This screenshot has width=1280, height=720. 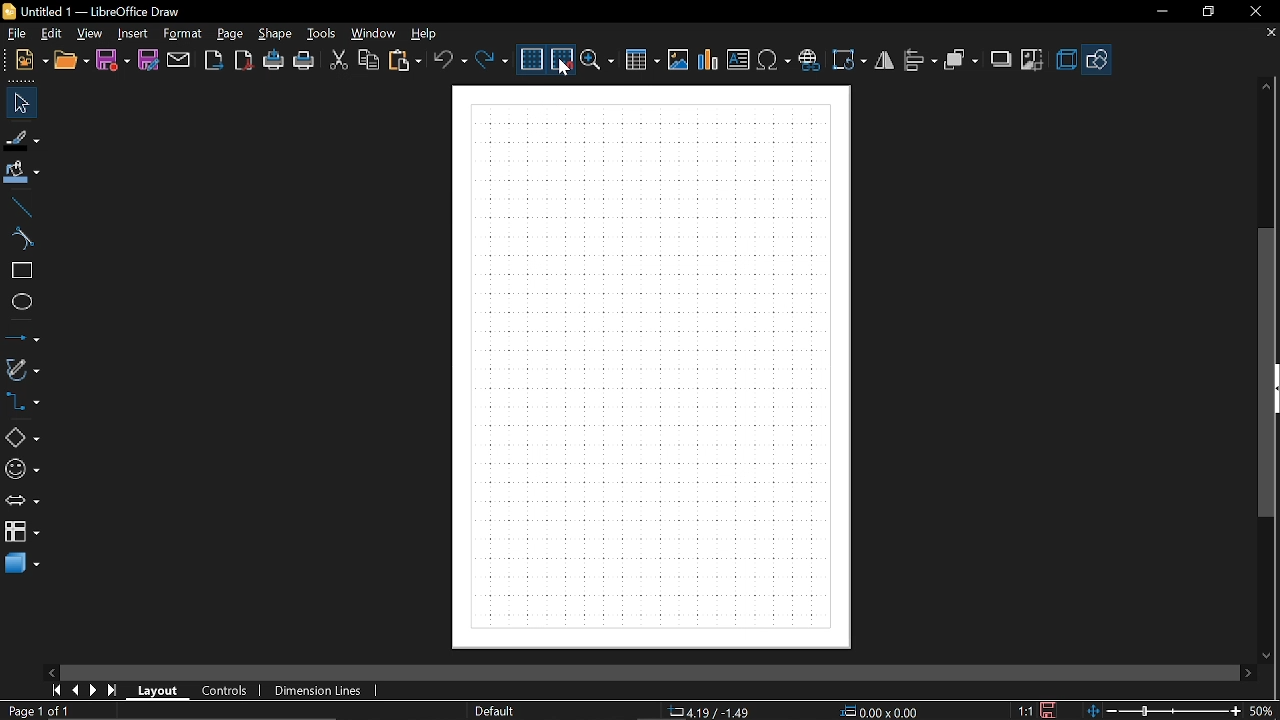 What do you see at coordinates (1265, 655) in the screenshot?
I see `move down` at bounding box center [1265, 655].